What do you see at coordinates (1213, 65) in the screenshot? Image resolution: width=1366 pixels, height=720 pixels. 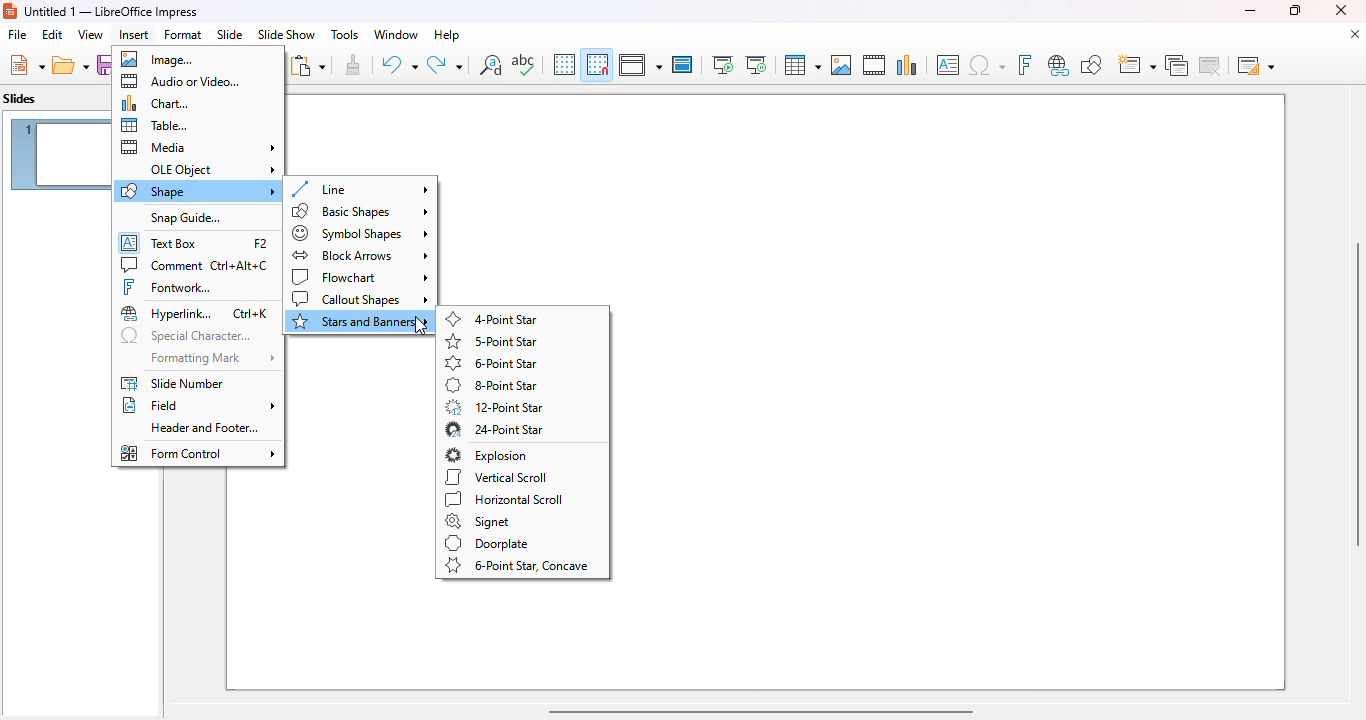 I see `delete slide` at bounding box center [1213, 65].